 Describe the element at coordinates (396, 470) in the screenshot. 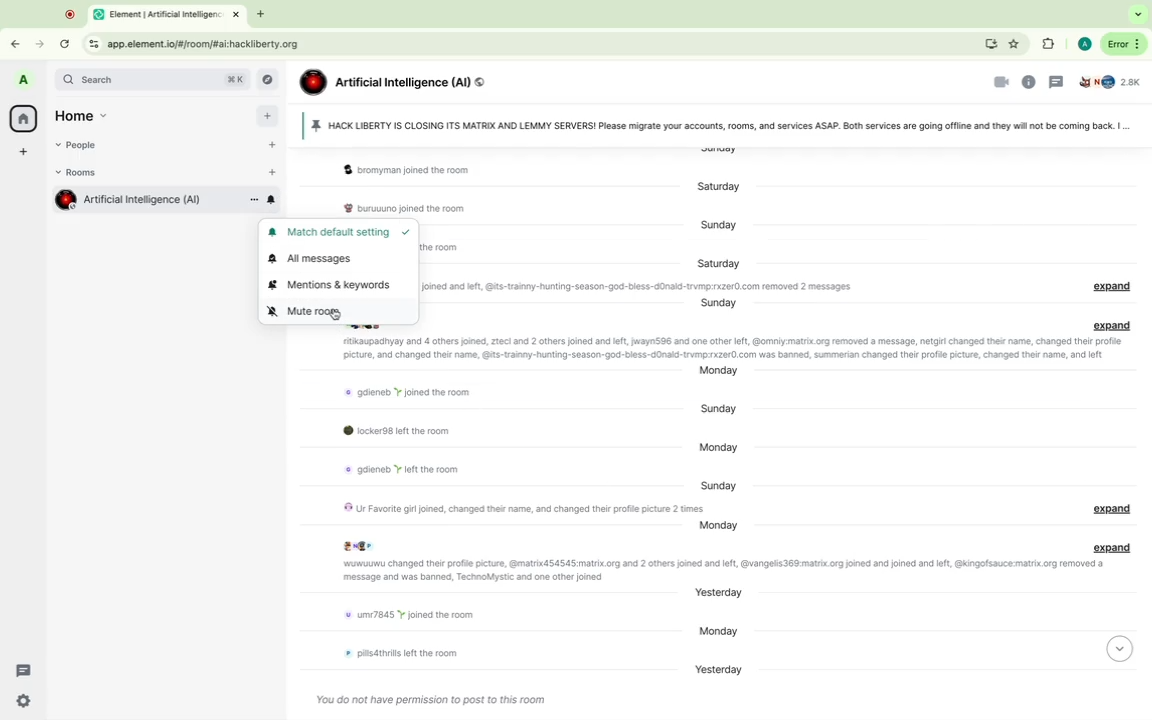

I see `Message` at that location.